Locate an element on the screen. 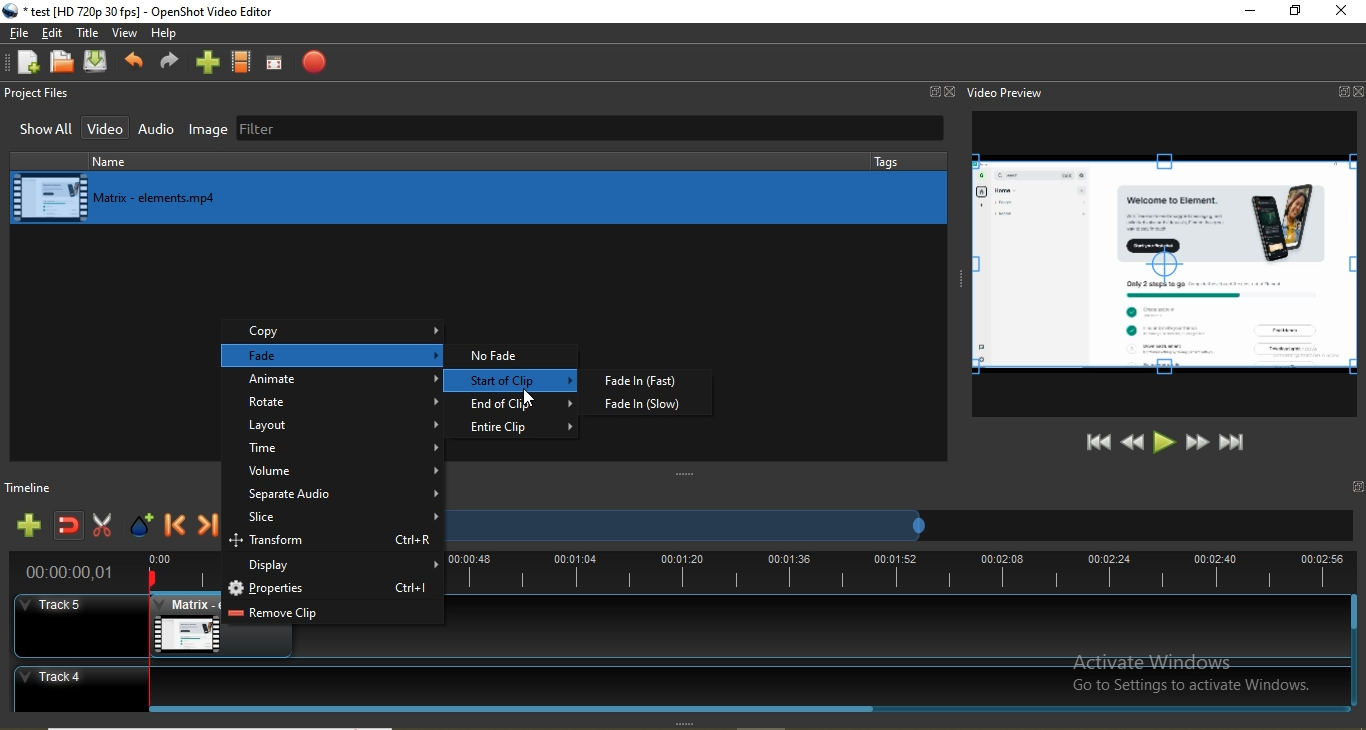 This screenshot has width=1366, height=730. rotate is located at coordinates (330, 402).